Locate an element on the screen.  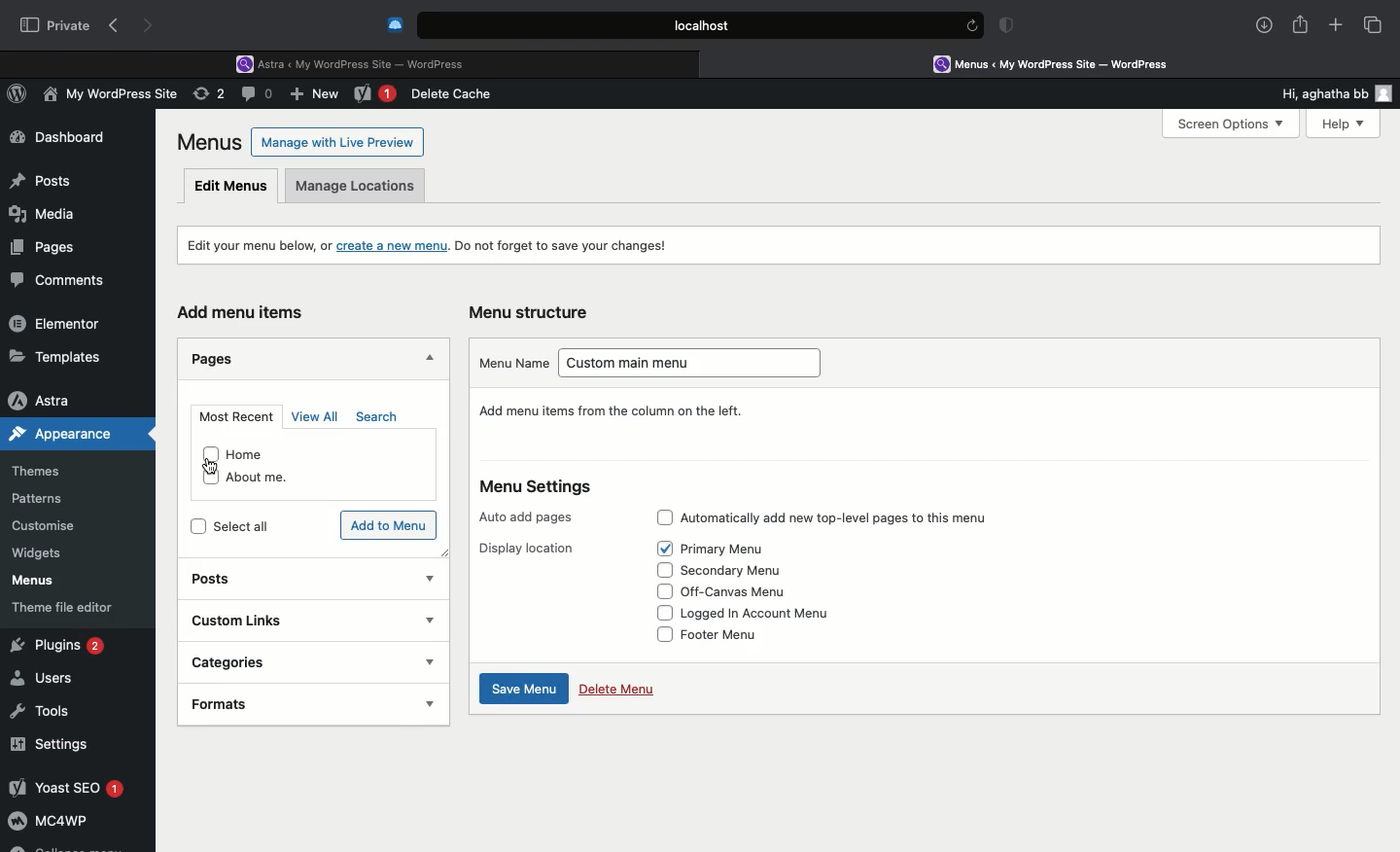
cursor is located at coordinates (210, 465).